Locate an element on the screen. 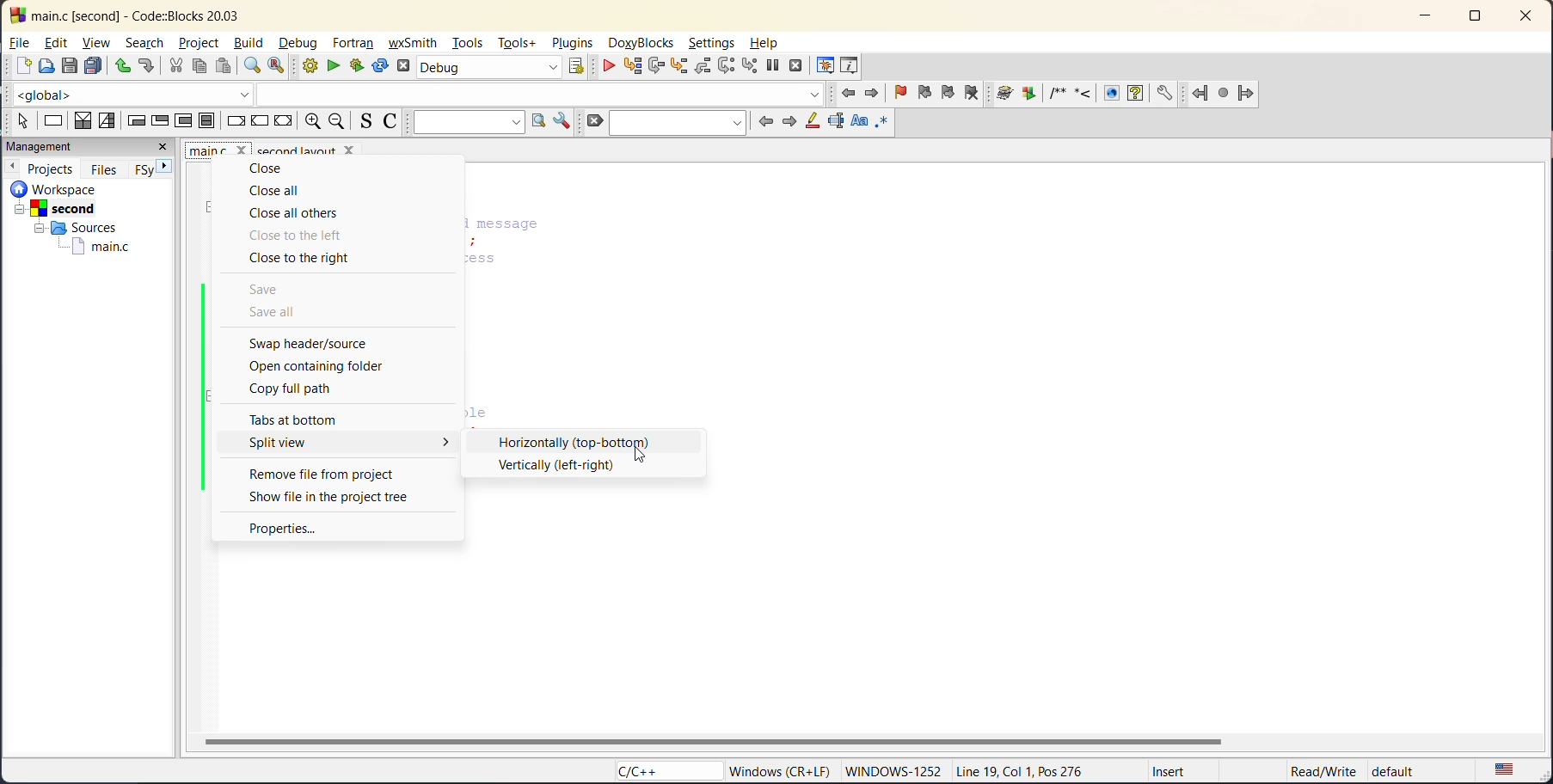 The image size is (1553, 784). second layout is located at coordinates (321, 149).